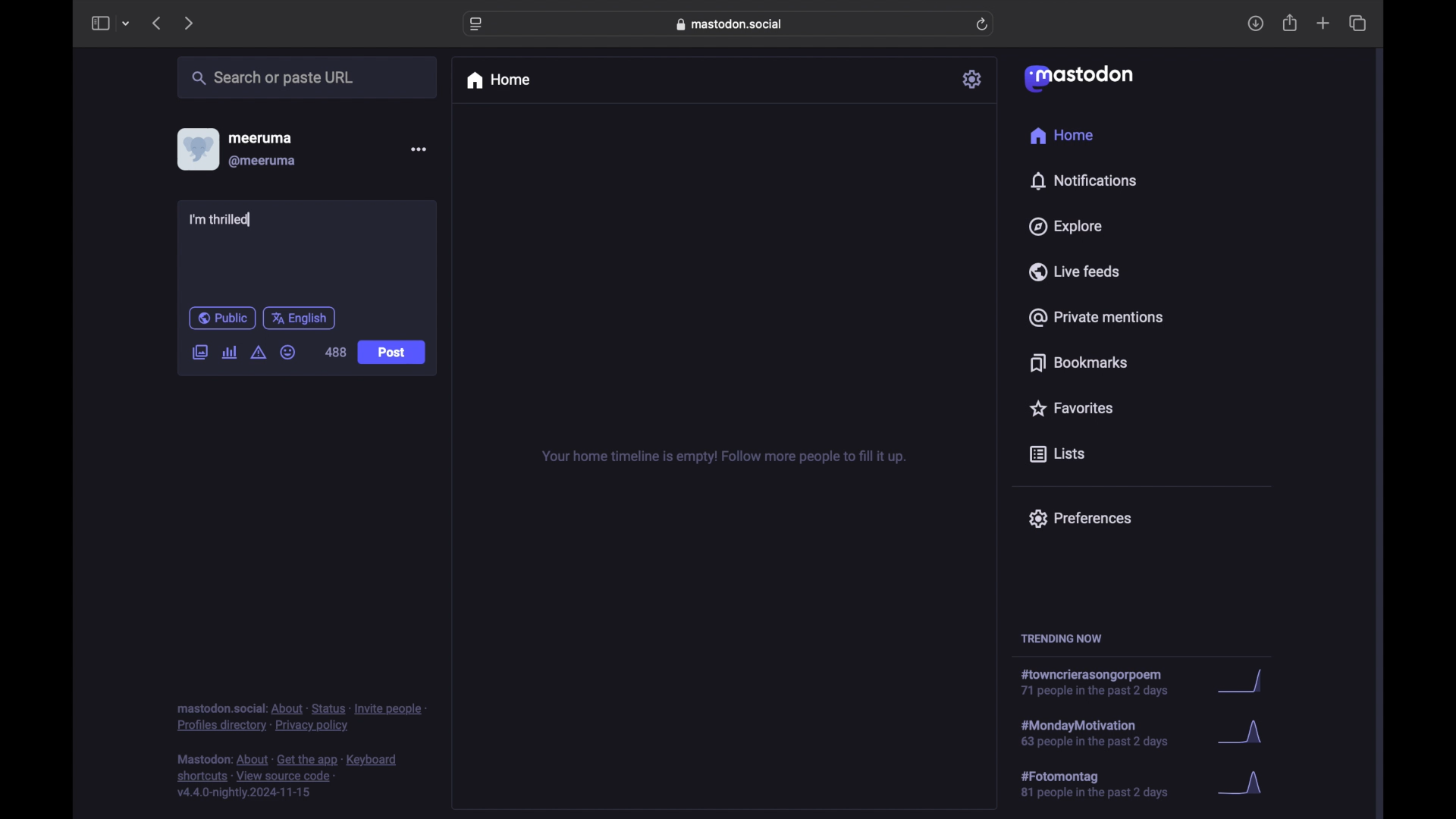 The height and width of the screenshot is (819, 1456). What do you see at coordinates (335, 352) in the screenshot?
I see `488` at bounding box center [335, 352].